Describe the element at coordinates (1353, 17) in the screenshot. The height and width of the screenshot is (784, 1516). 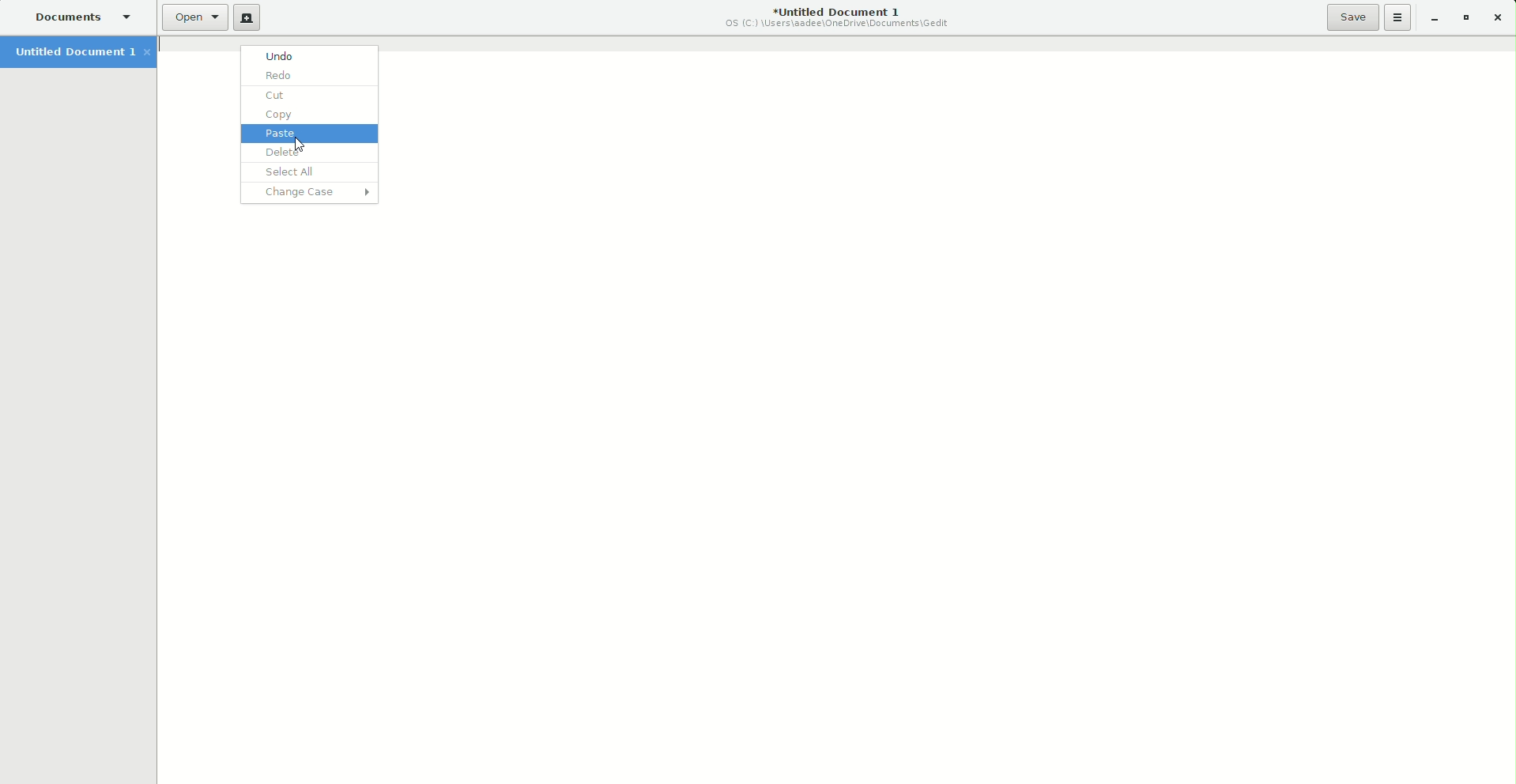
I see `Save` at that location.